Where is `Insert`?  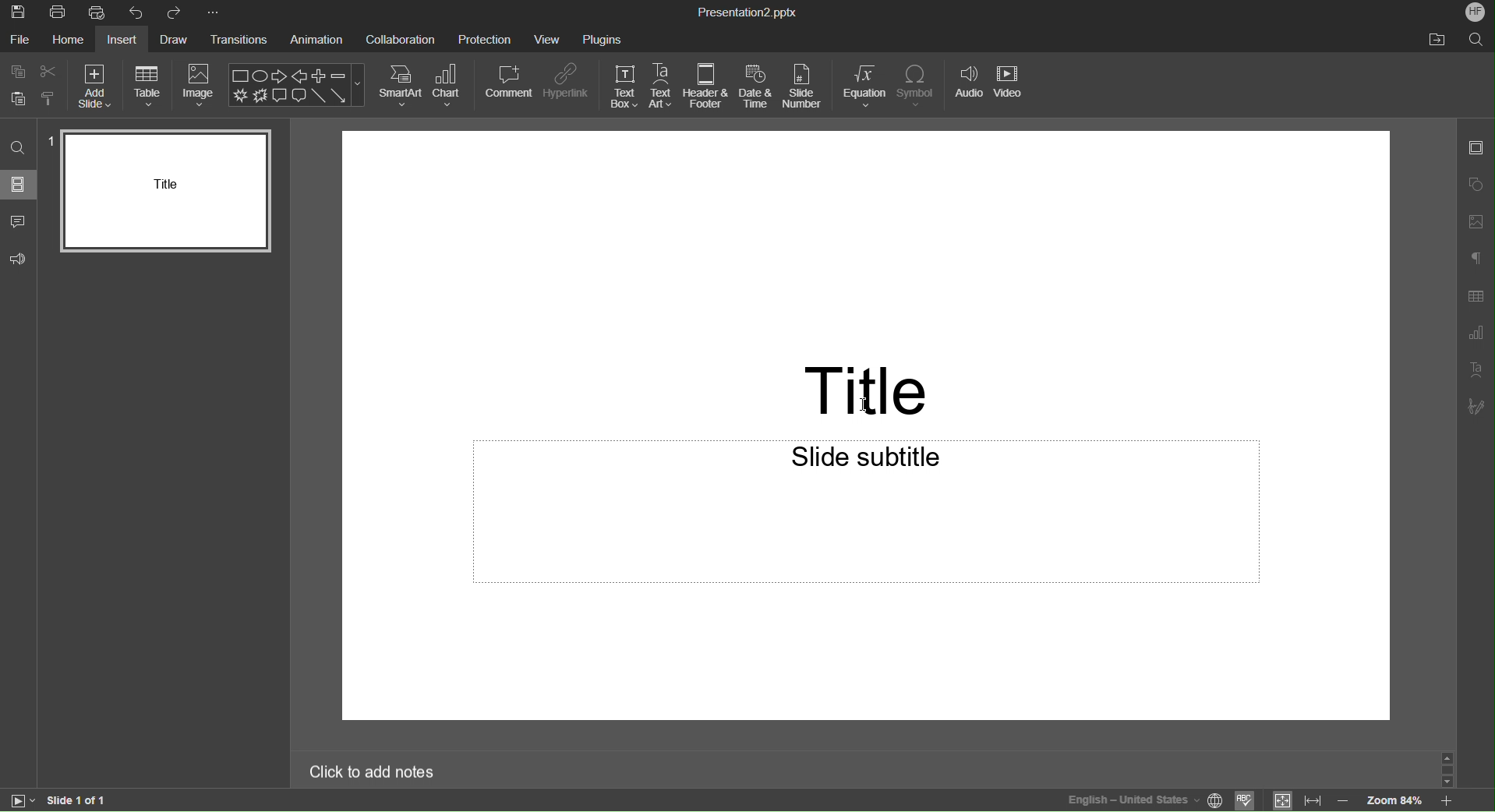 Insert is located at coordinates (121, 40).